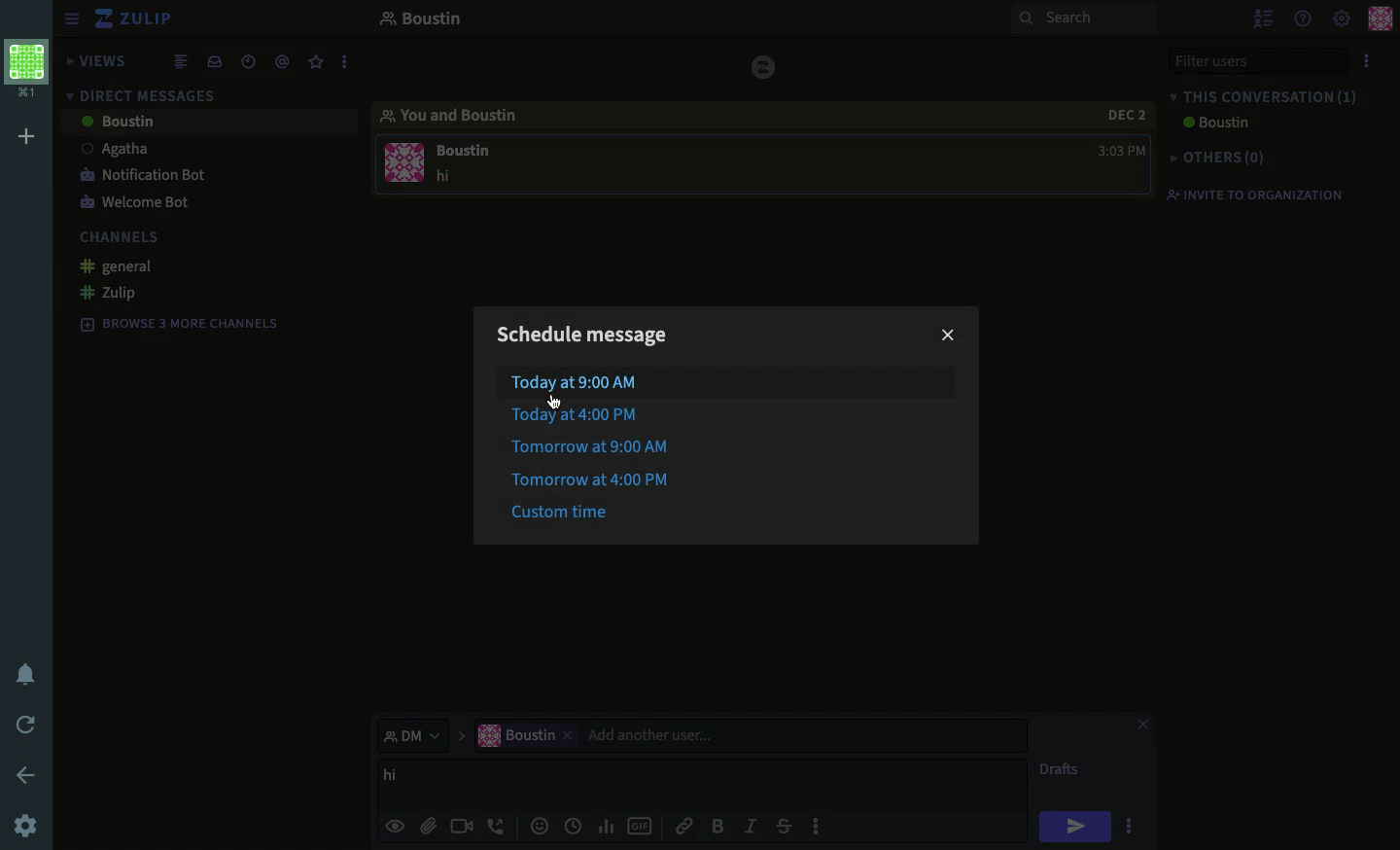  What do you see at coordinates (1144, 726) in the screenshot?
I see `close` at bounding box center [1144, 726].